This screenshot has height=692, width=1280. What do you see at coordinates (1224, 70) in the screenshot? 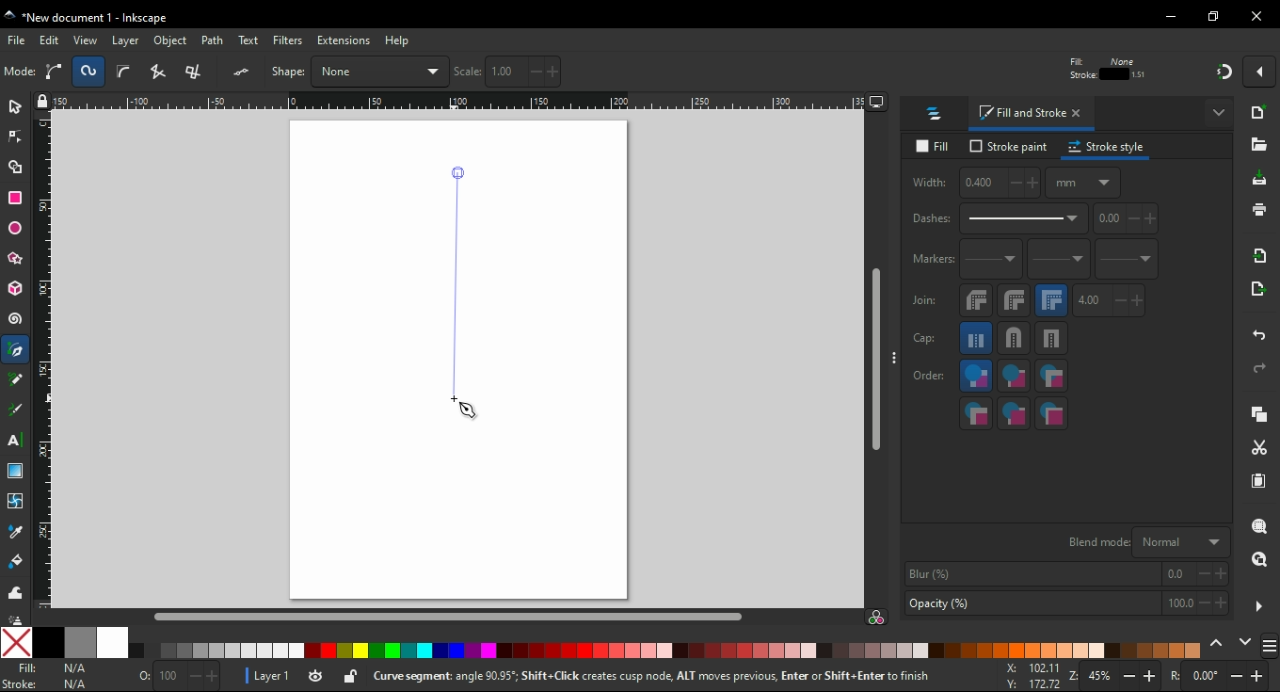
I see `snap on/off` at bounding box center [1224, 70].